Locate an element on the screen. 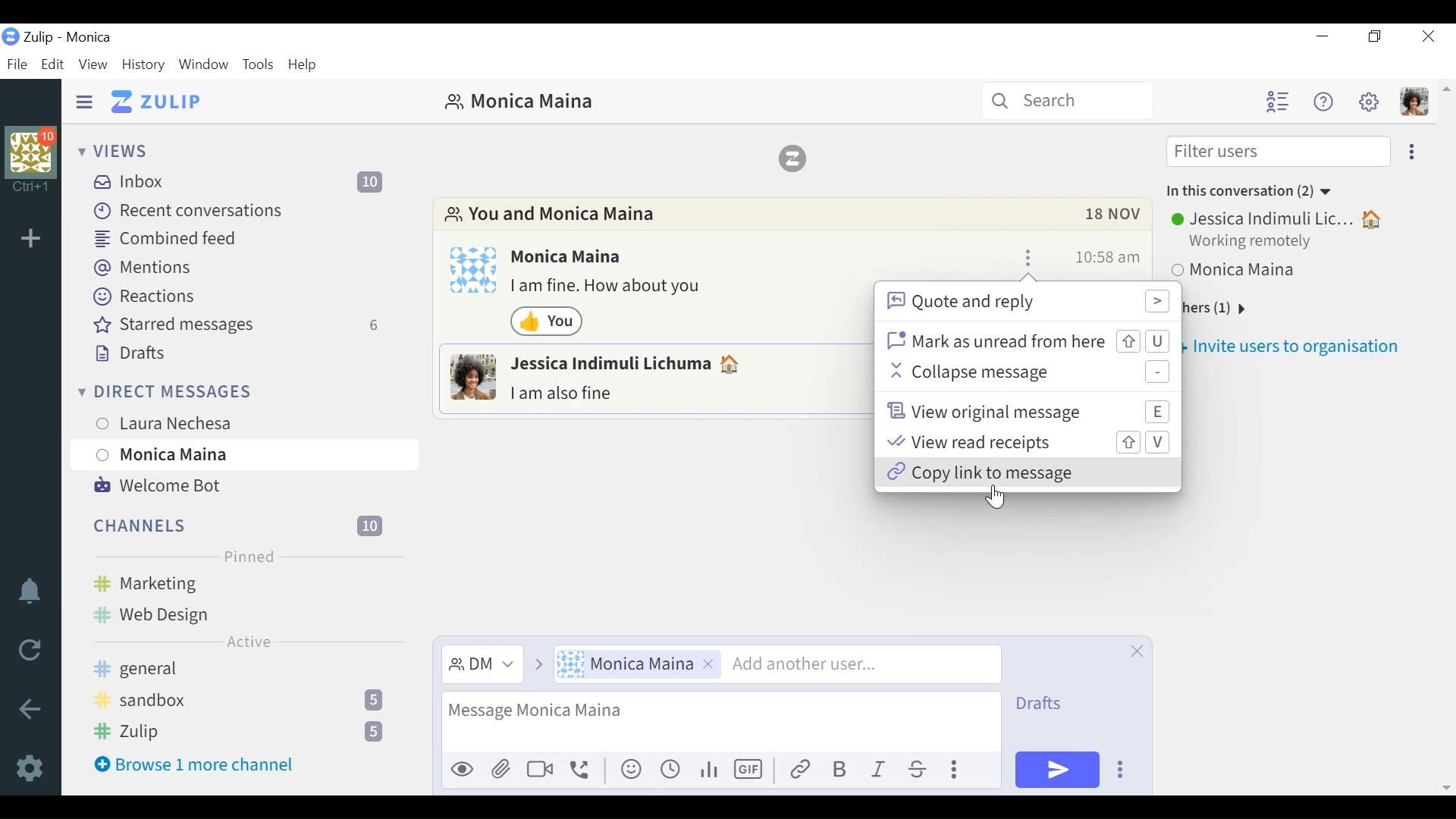 This screenshot has height=819, width=1456. Reload is located at coordinates (30, 651).